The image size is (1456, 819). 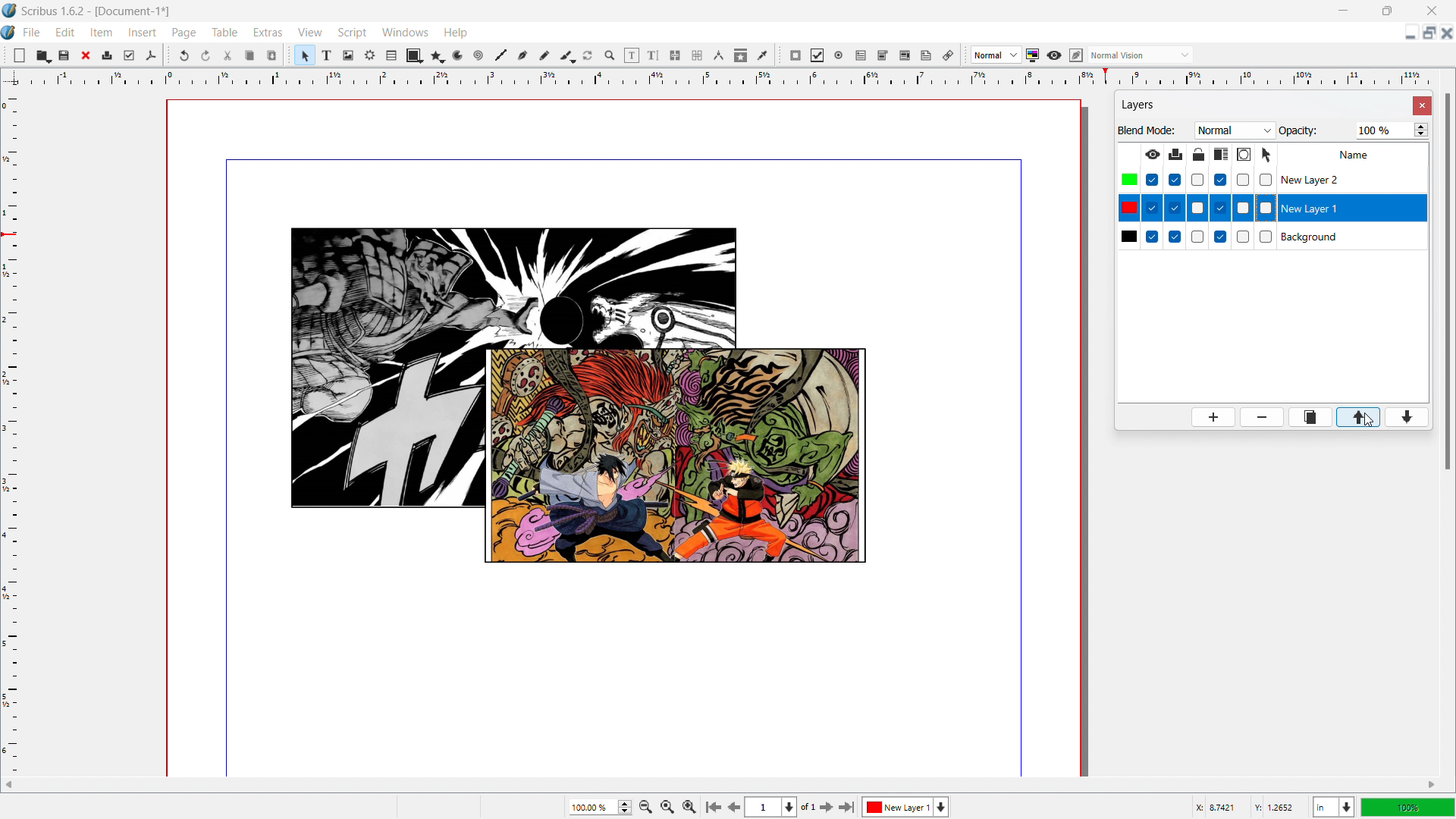 What do you see at coordinates (403, 32) in the screenshot?
I see `windows` at bounding box center [403, 32].